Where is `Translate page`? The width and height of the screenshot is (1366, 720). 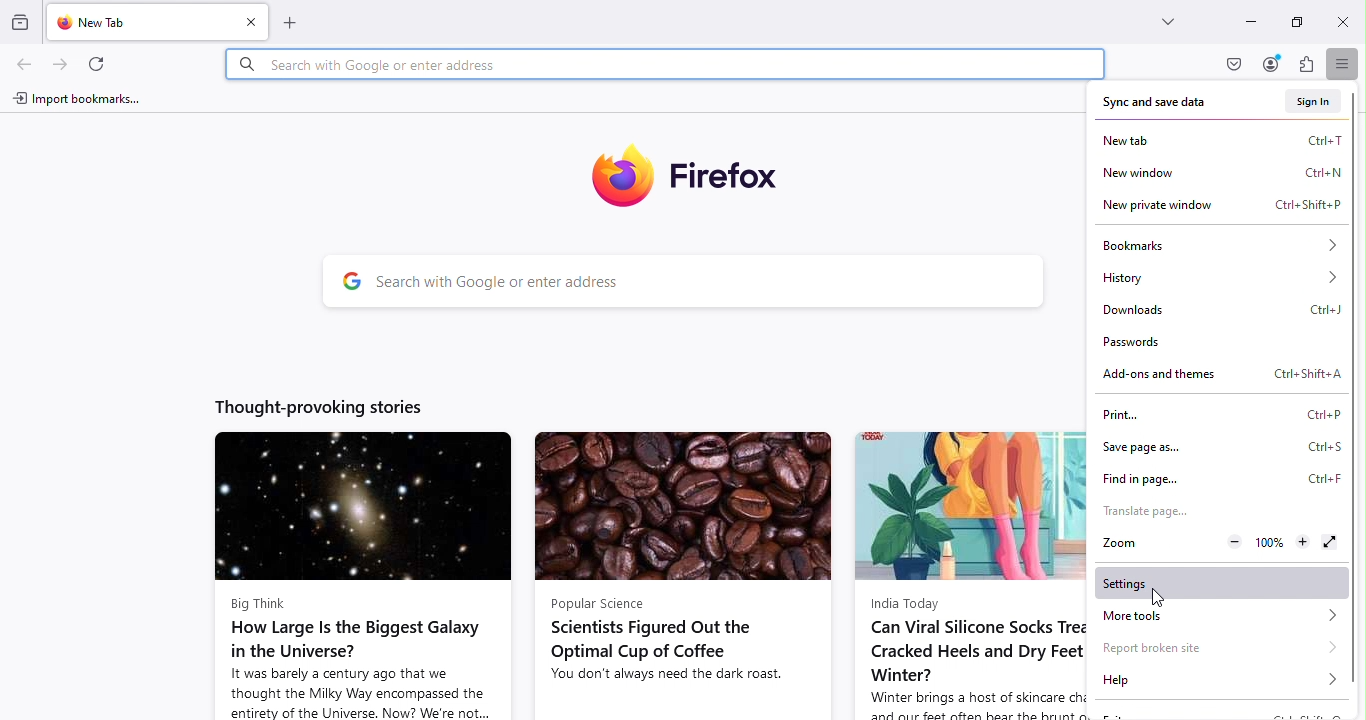
Translate page is located at coordinates (1143, 512).